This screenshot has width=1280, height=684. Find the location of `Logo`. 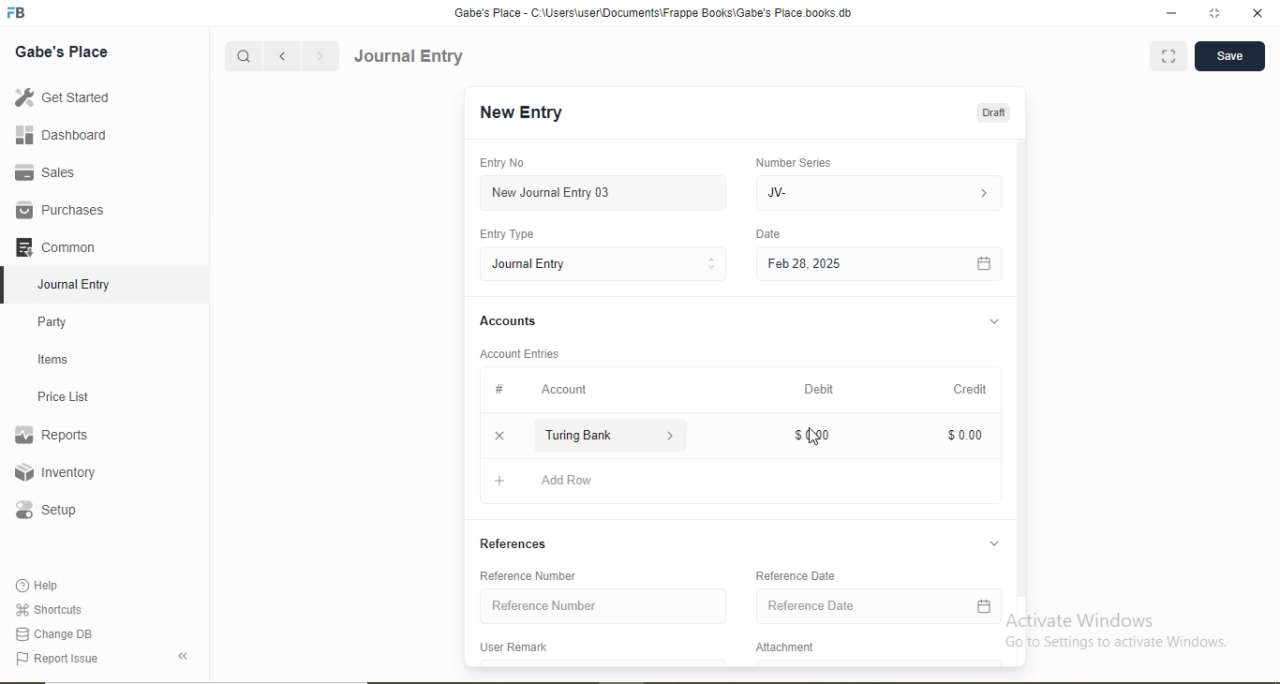

Logo is located at coordinates (17, 13).